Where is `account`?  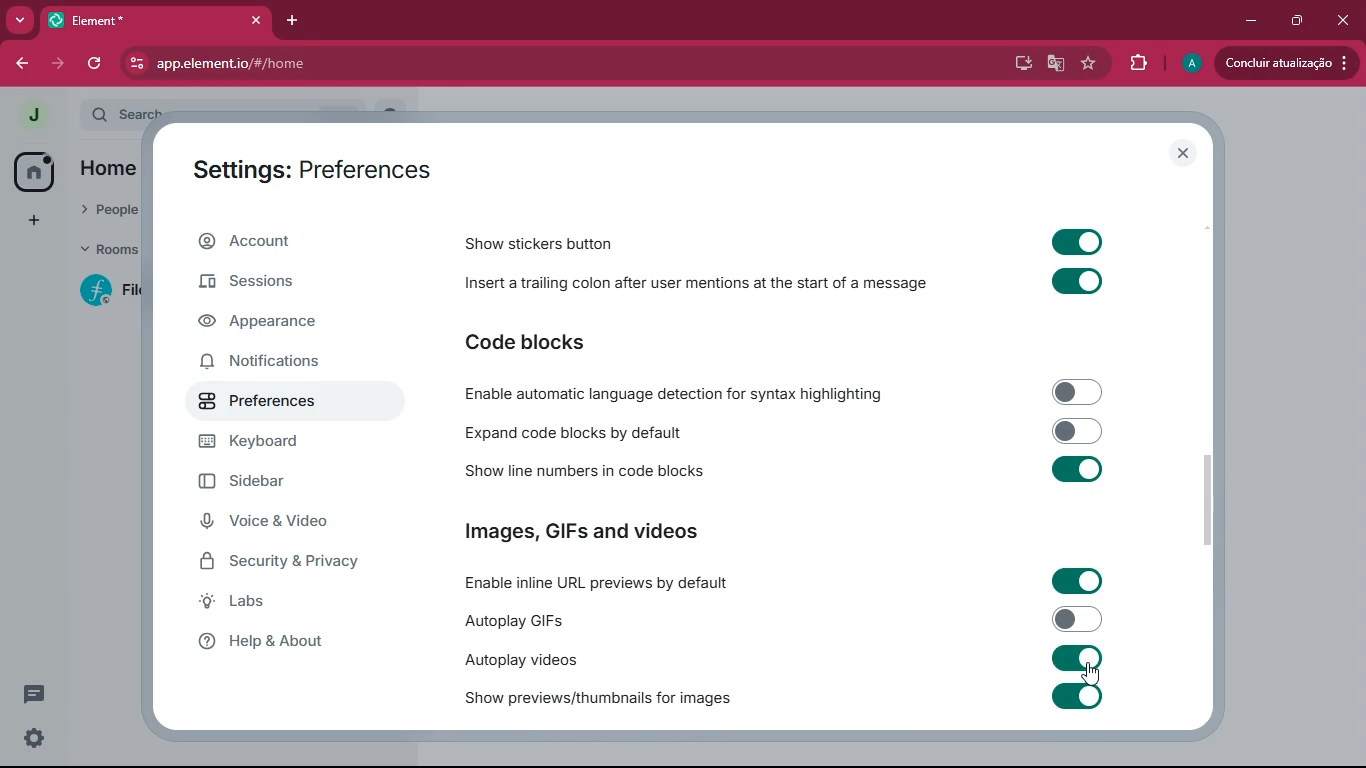 account is located at coordinates (277, 246).